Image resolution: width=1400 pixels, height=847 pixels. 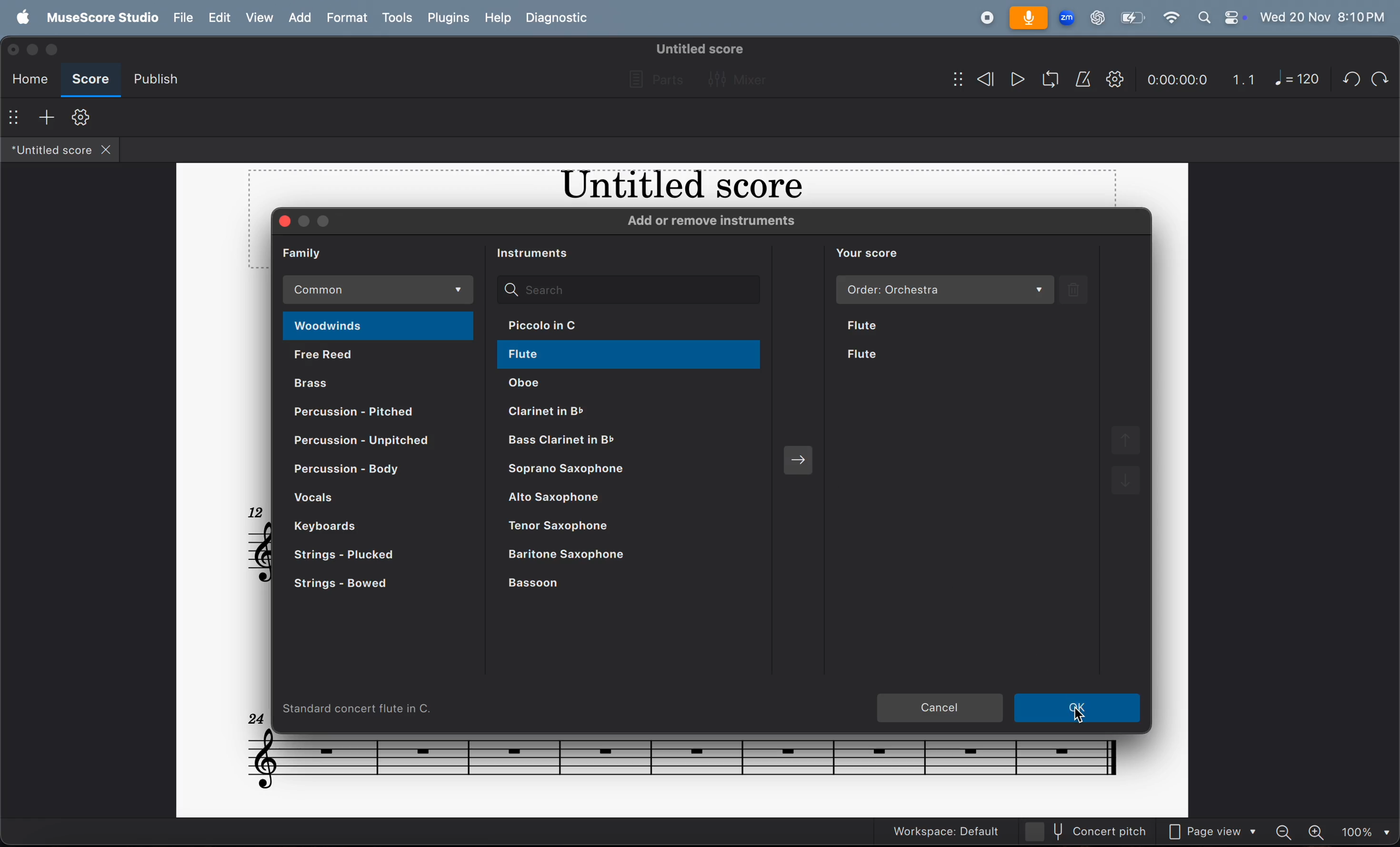 What do you see at coordinates (625, 498) in the screenshot?
I see `alto saxophone` at bounding box center [625, 498].